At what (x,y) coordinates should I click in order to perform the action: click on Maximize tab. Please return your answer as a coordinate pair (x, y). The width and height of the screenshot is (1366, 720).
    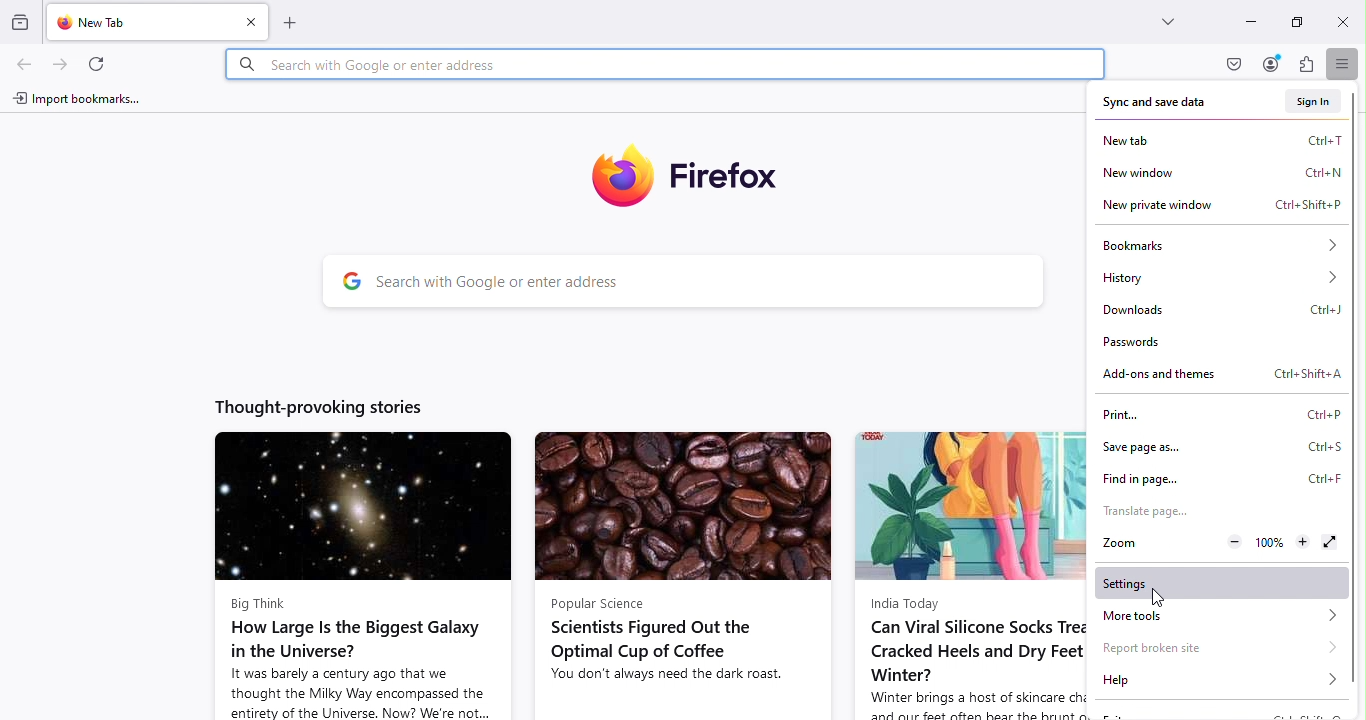
    Looking at the image, I should click on (1293, 19).